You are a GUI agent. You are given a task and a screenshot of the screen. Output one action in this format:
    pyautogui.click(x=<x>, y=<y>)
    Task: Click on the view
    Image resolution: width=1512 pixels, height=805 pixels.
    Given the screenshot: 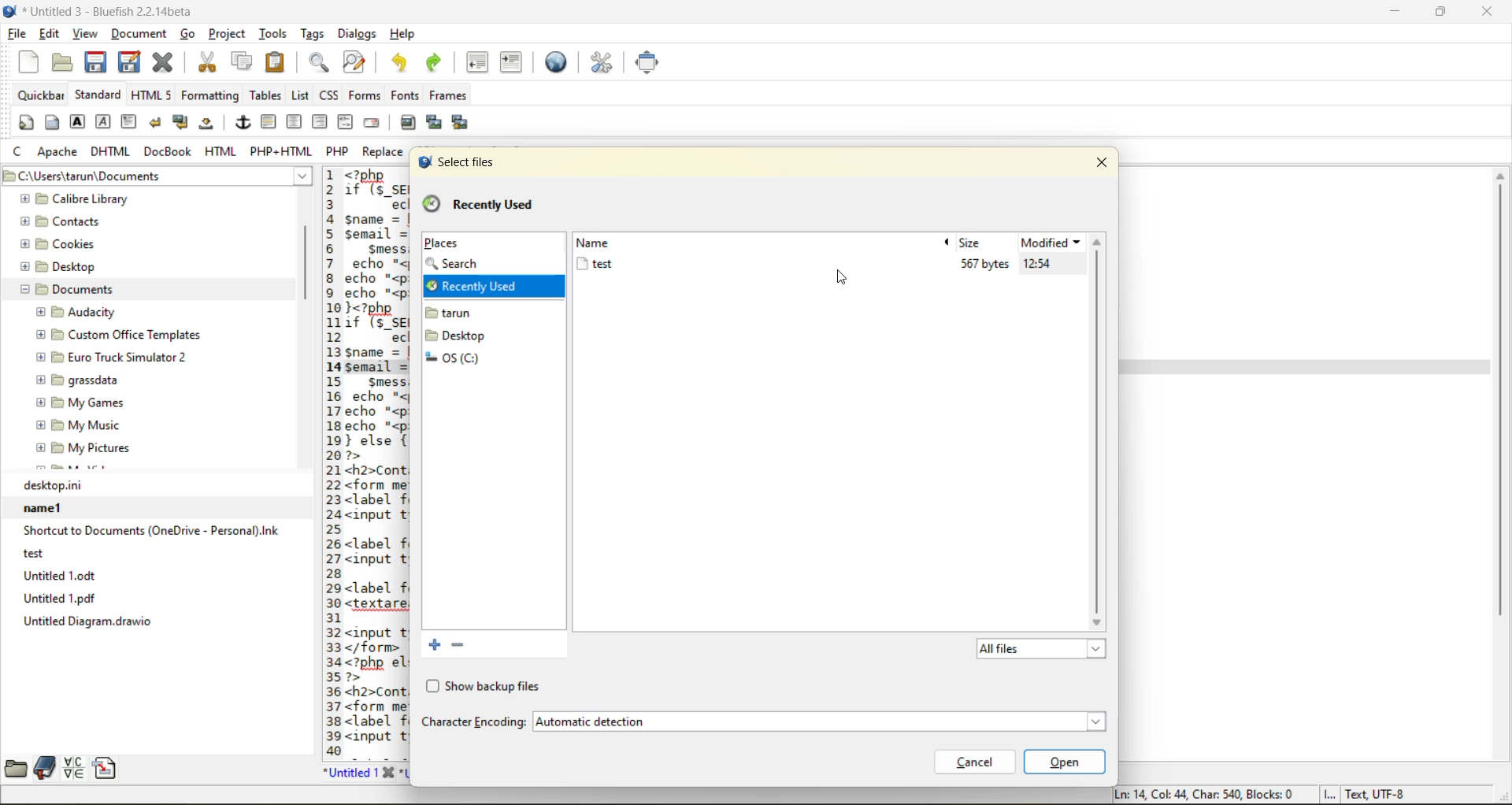 What is the action you would take?
    pyautogui.click(x=86, y=35)
    